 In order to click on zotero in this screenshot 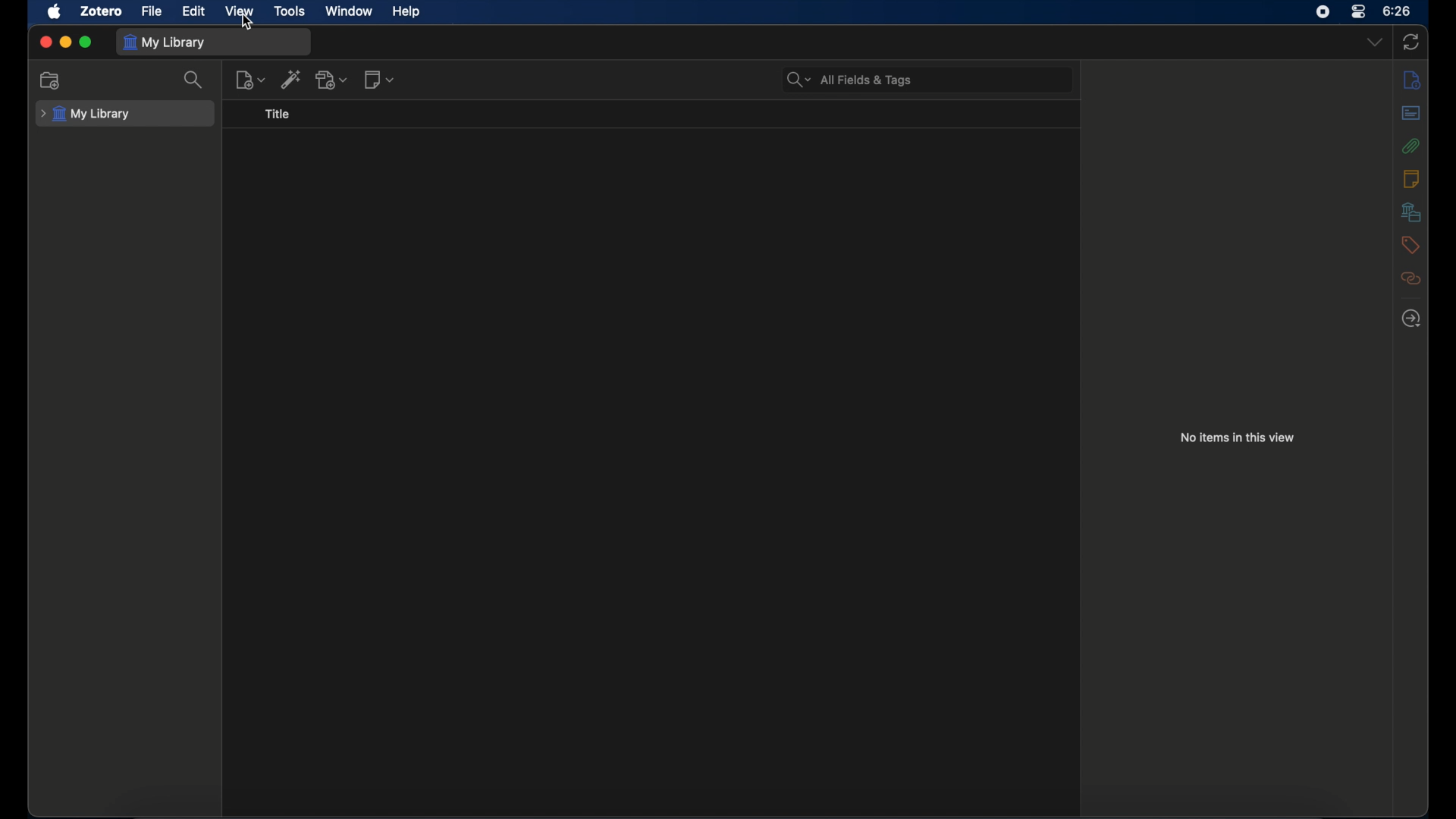, I will do `click(102, 11)`.